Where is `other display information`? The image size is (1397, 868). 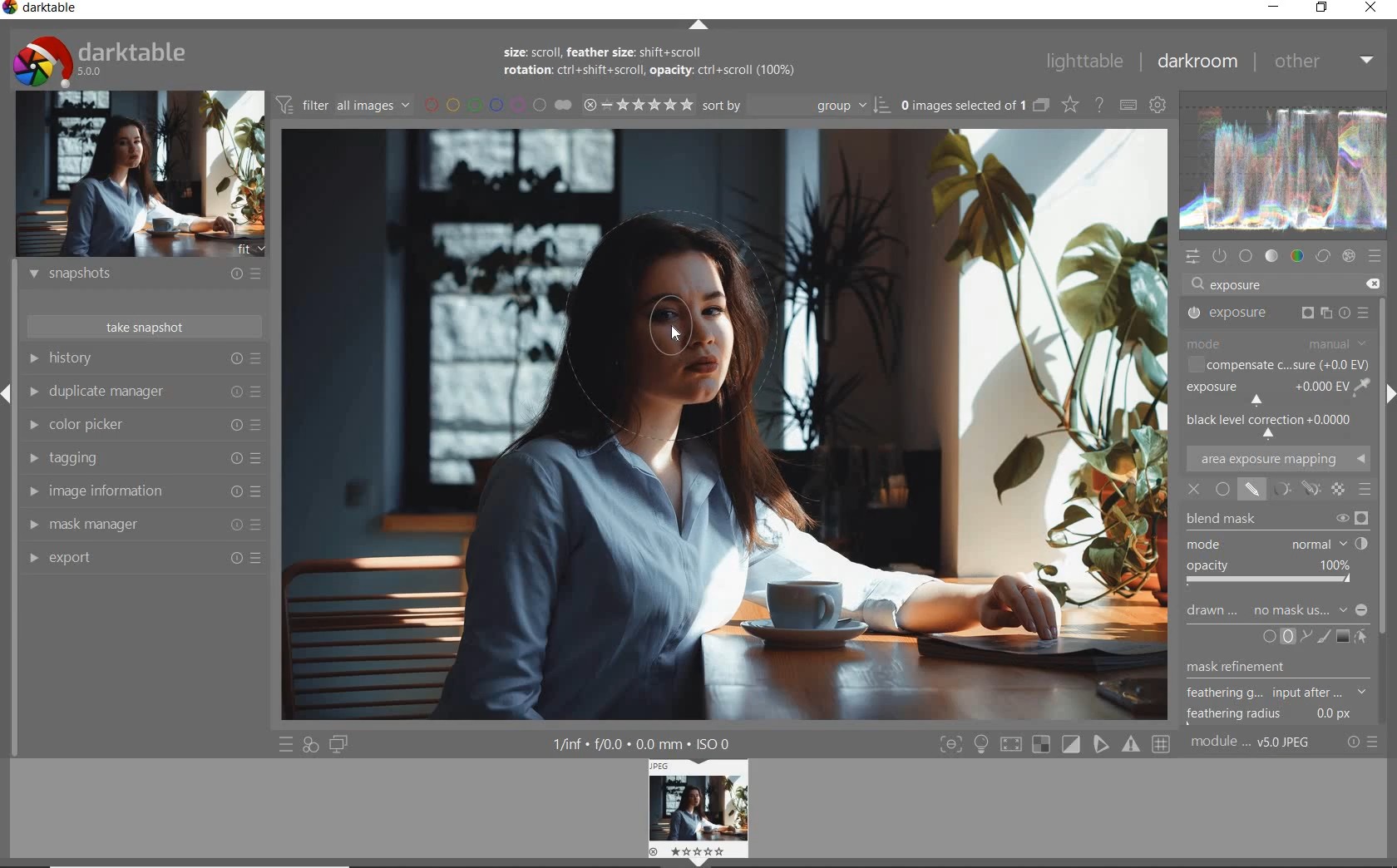
other display information is located at coordinates (642, 743).